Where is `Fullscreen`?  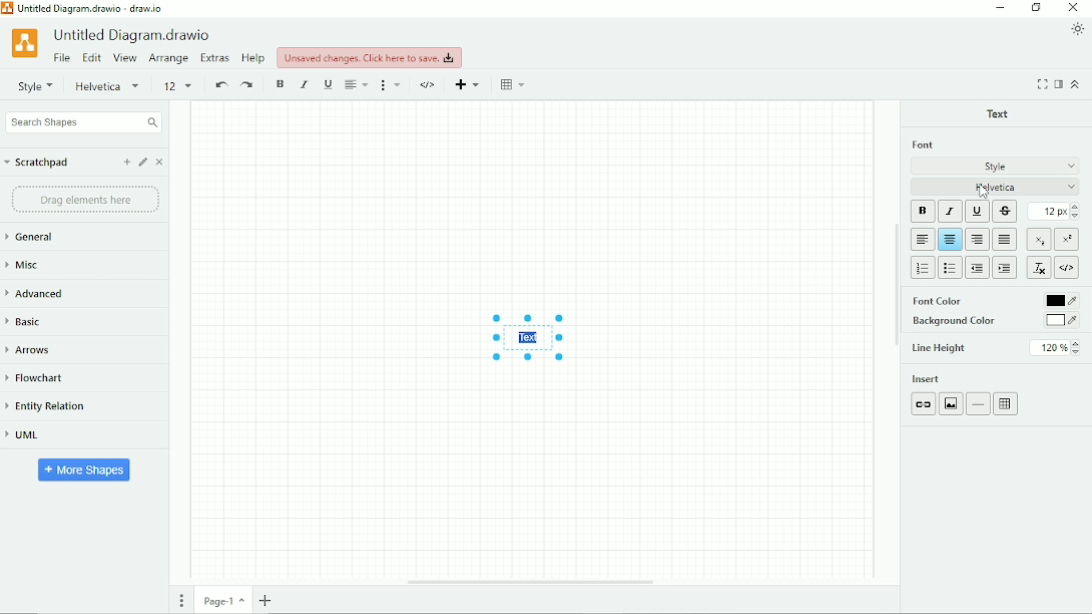
Fullscreen is located at coordinates (1042, 84).